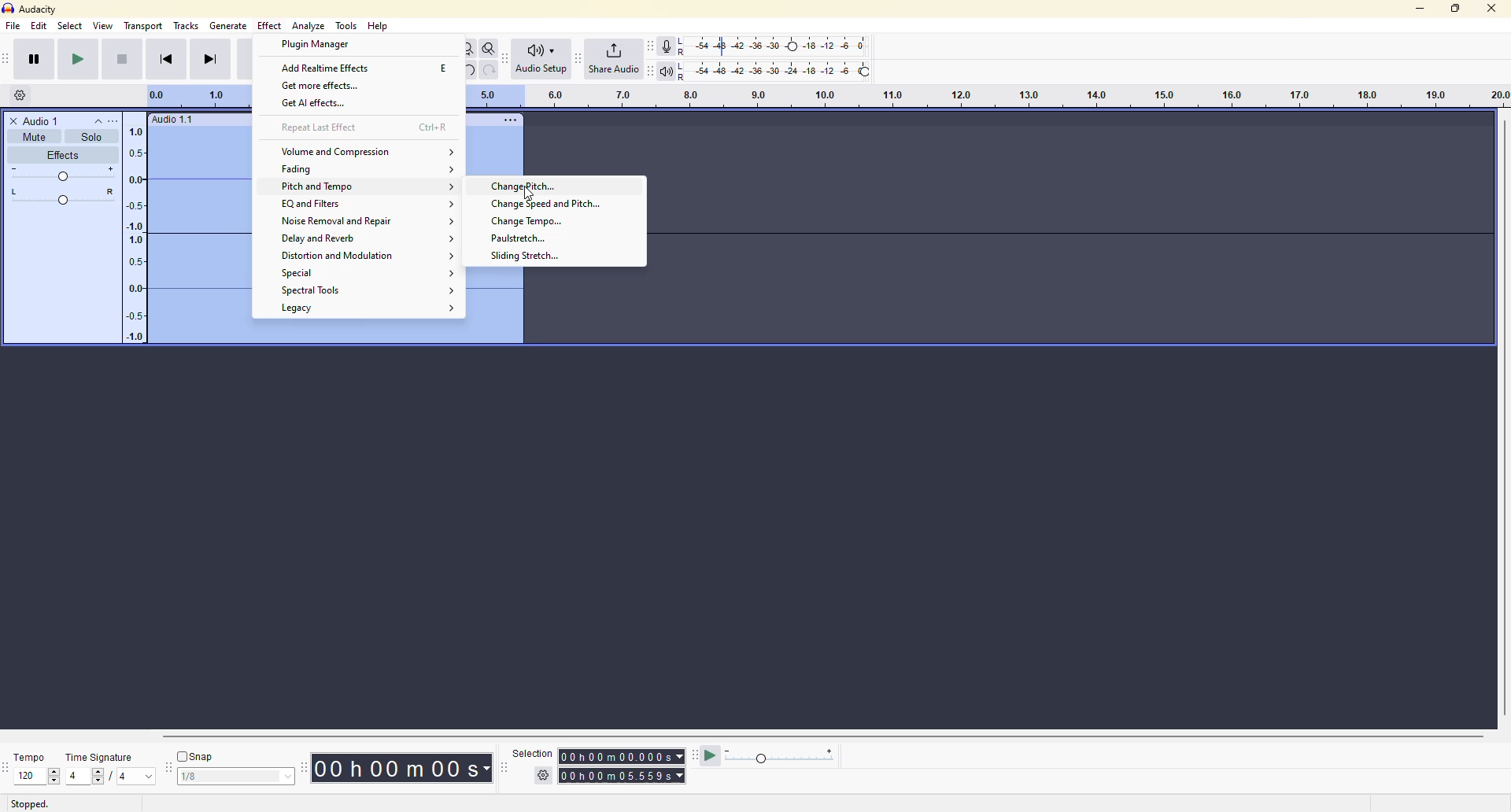 The height and width of the screenshot is (812, 1511). I want to click on zoom toggle, so click(490, 48).